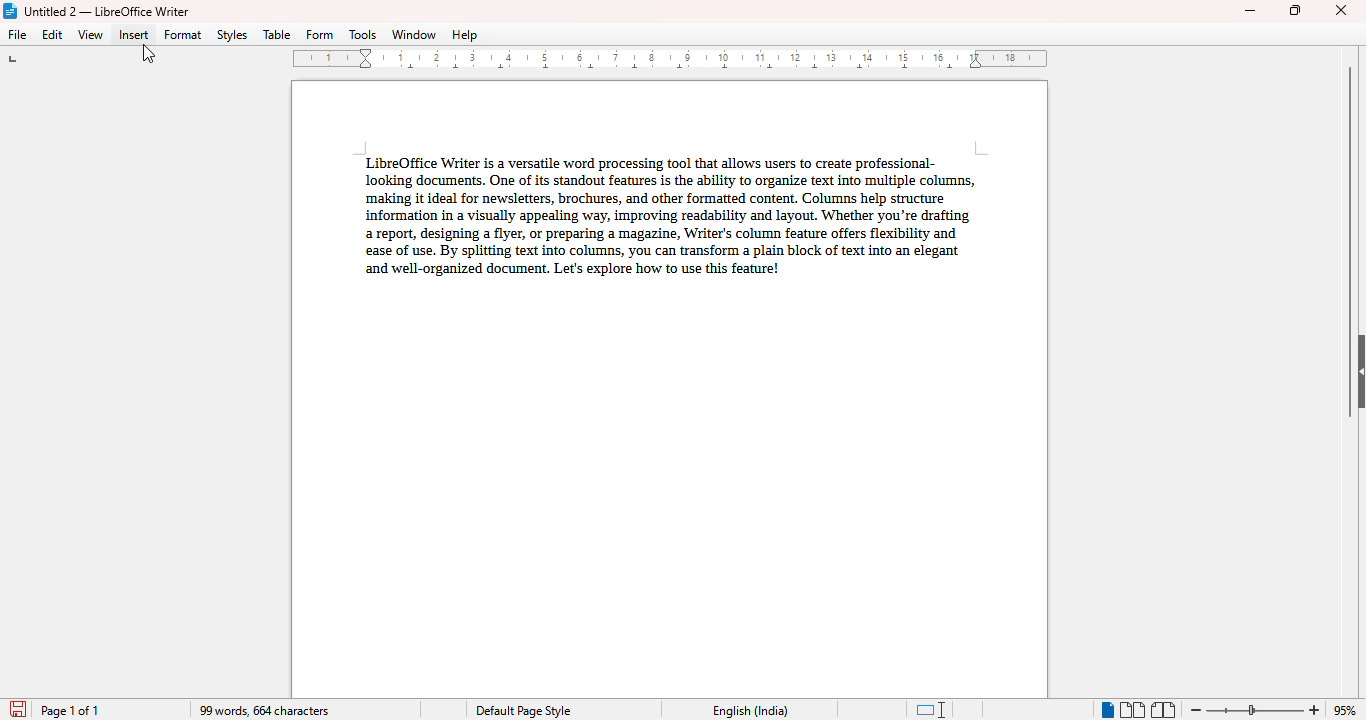  I want to click on Untitled 2 -- LibreOffice Writer, so click(109, 11).